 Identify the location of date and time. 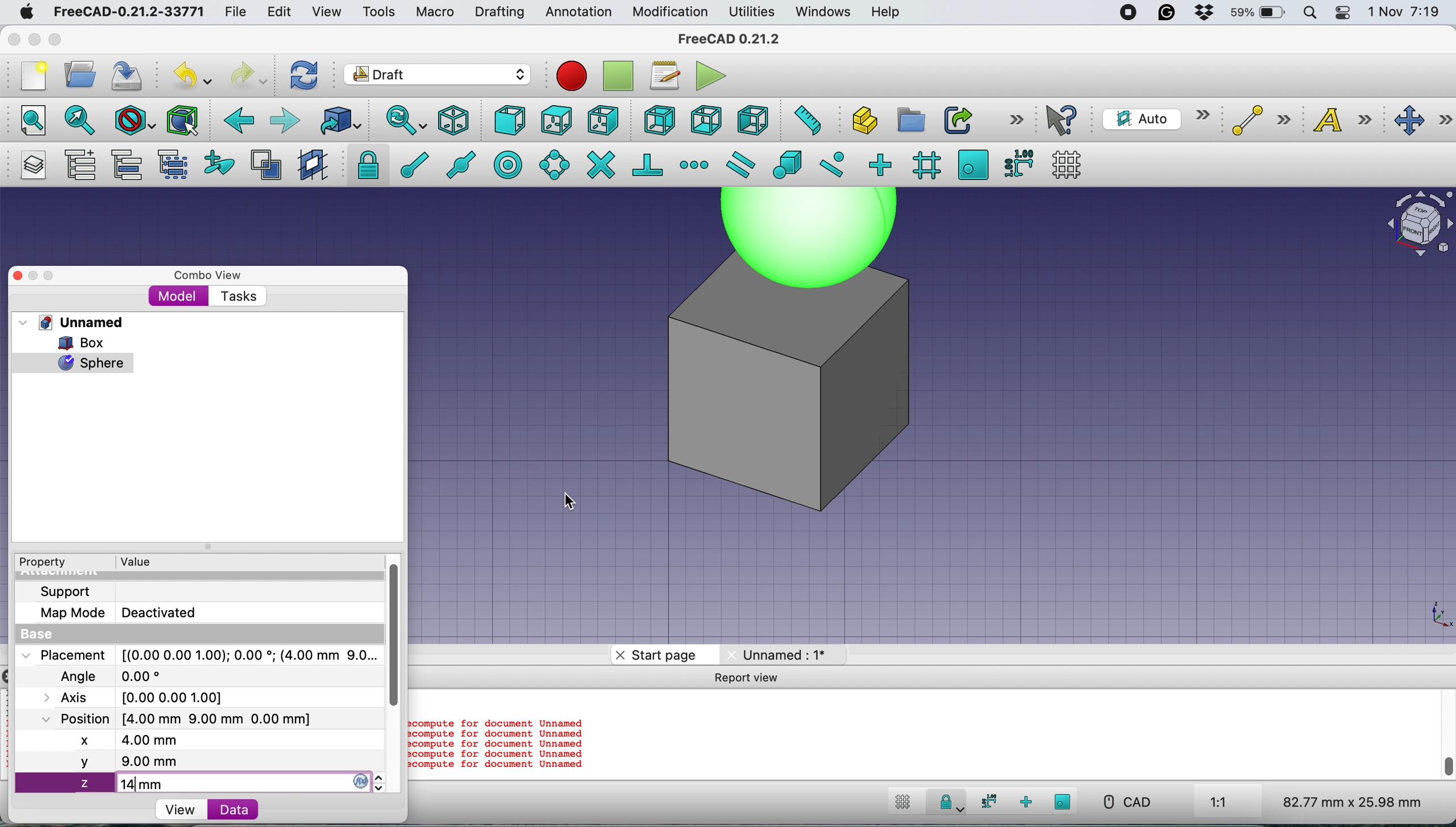
(1405, 12).